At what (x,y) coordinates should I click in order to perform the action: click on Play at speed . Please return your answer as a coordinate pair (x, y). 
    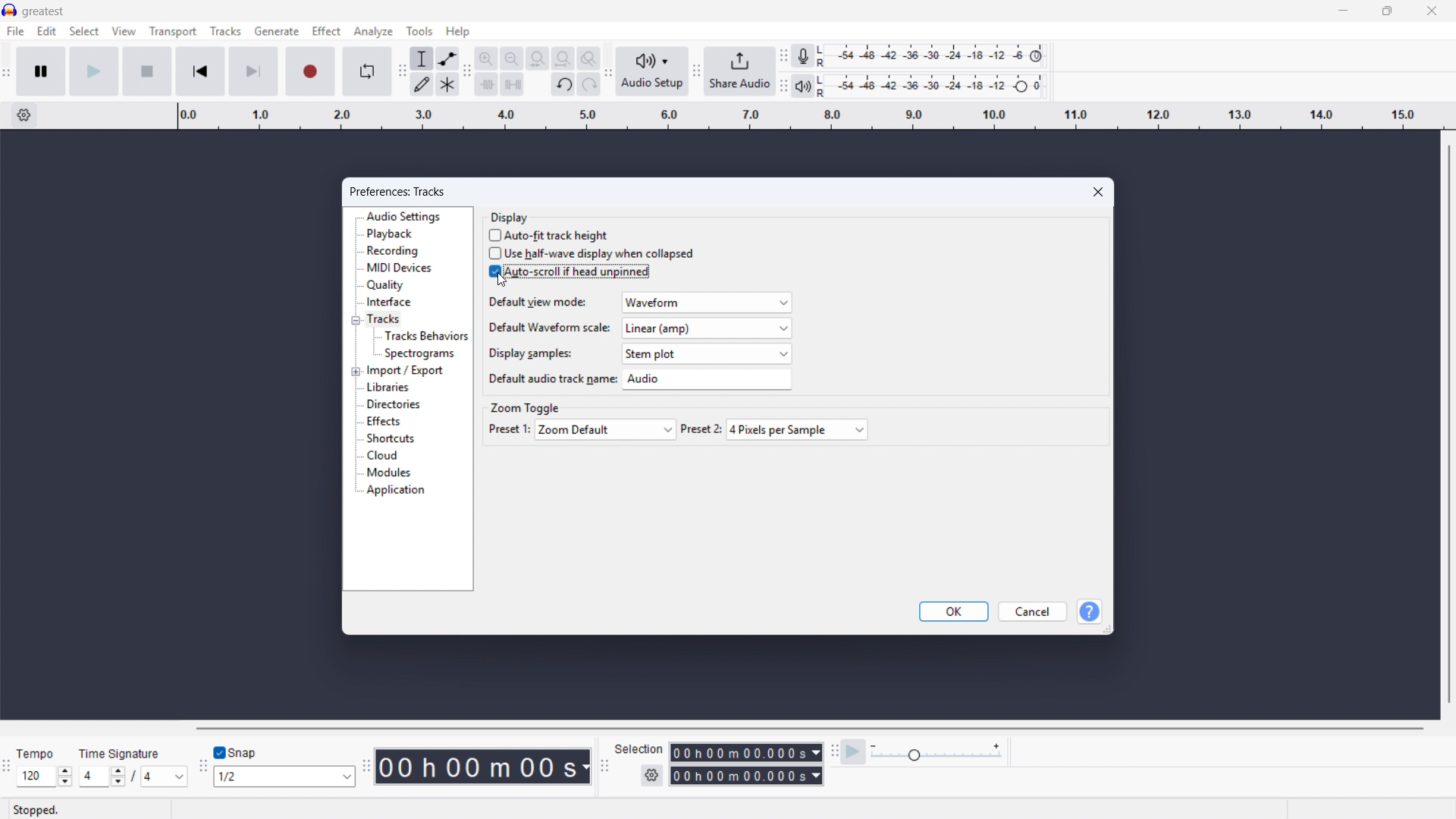
    Looking at the image, I should click on (853, 752).